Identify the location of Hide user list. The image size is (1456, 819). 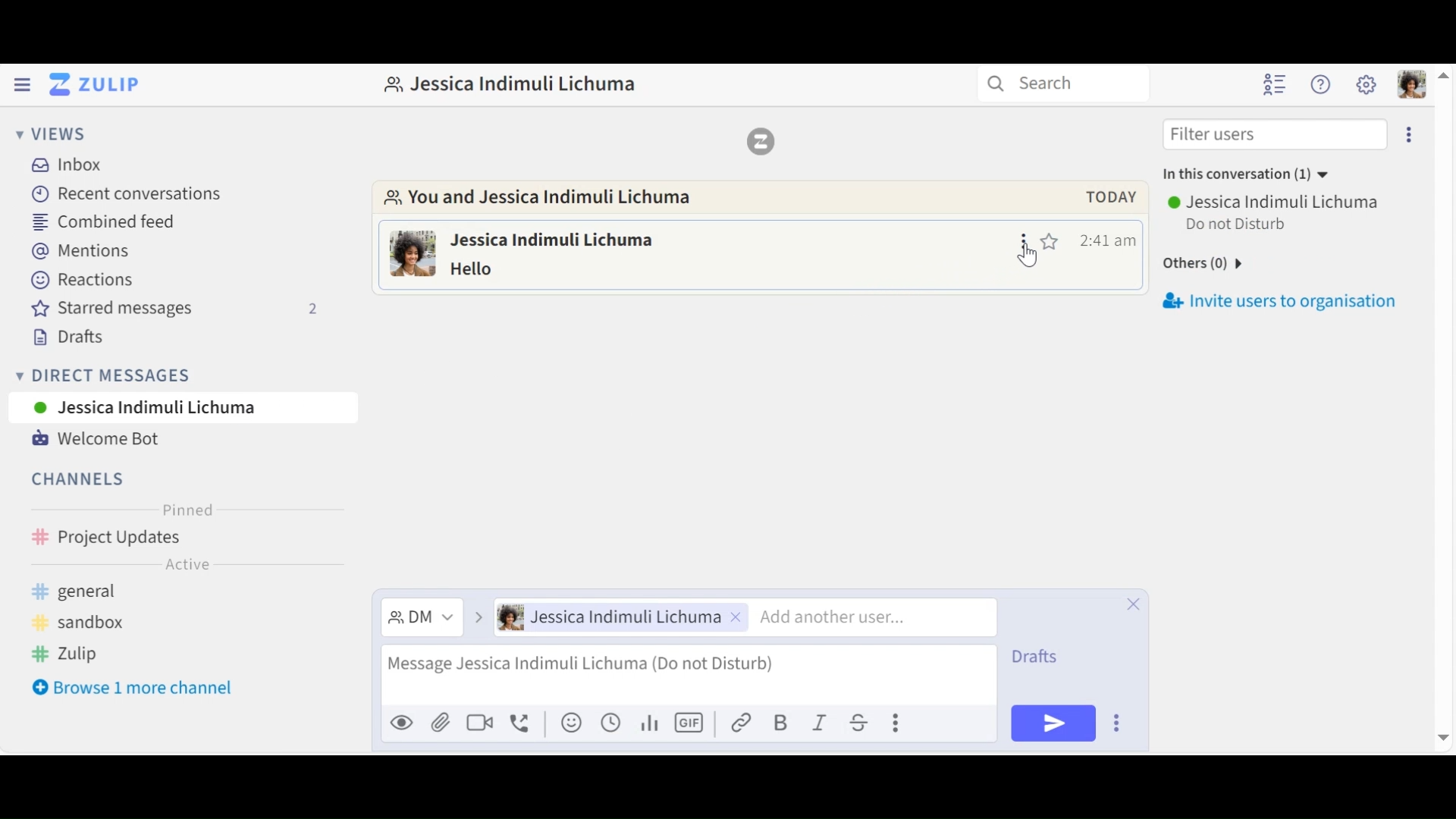
(1275, 85).